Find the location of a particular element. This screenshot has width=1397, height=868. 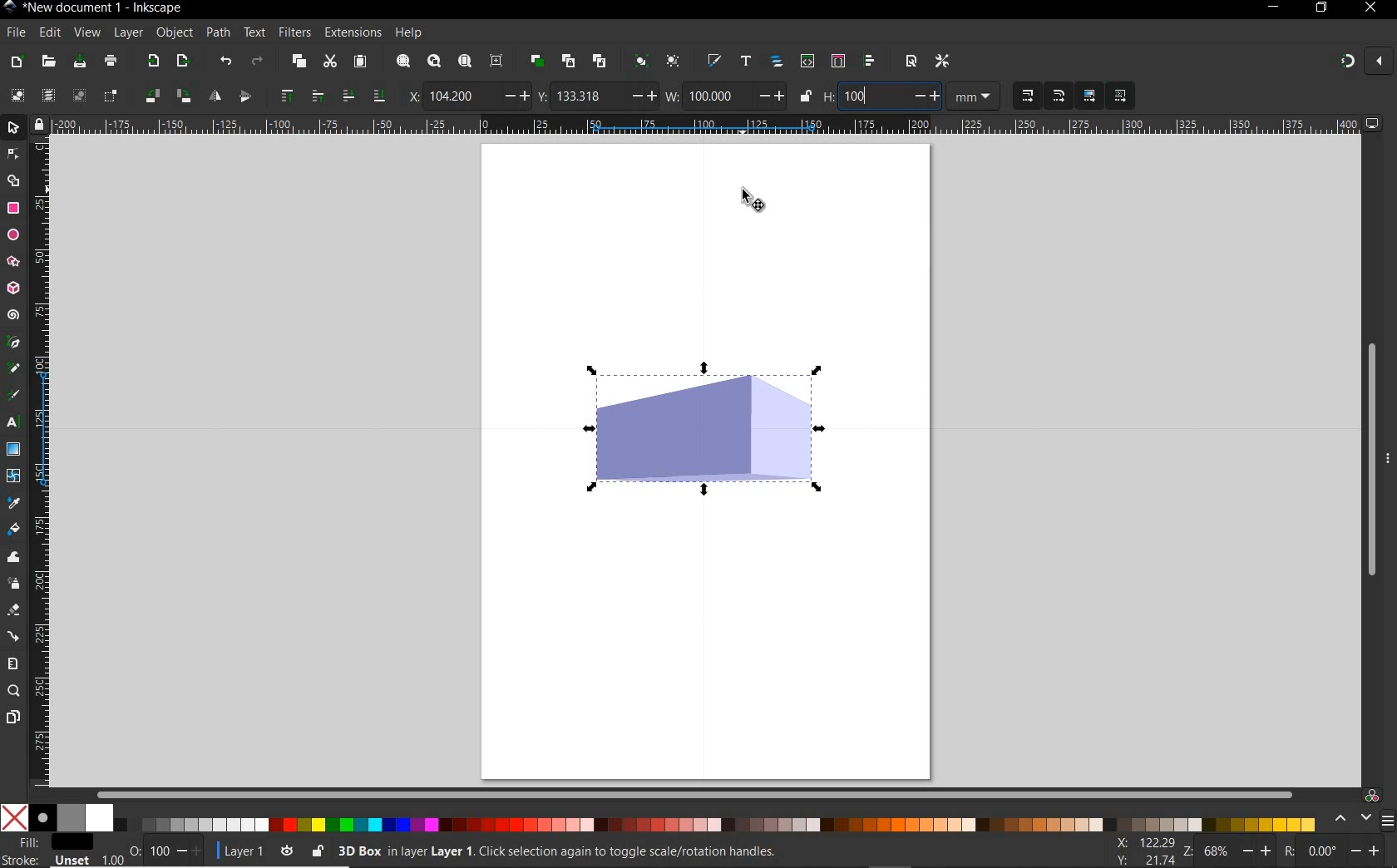

copy is located at coordinates (298, 61).